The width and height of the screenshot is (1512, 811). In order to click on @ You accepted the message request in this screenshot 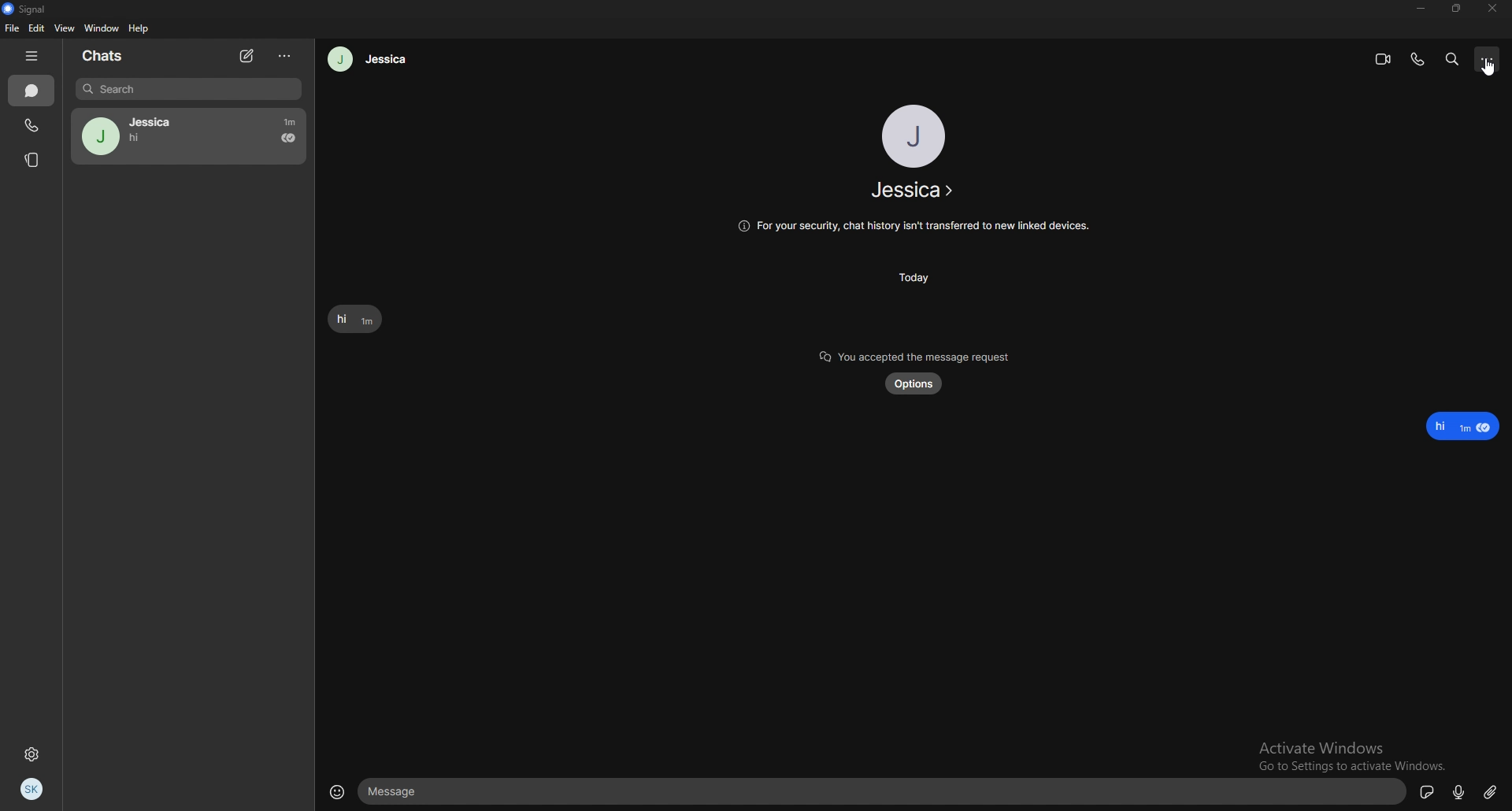, I will do `click(915, 352)`.